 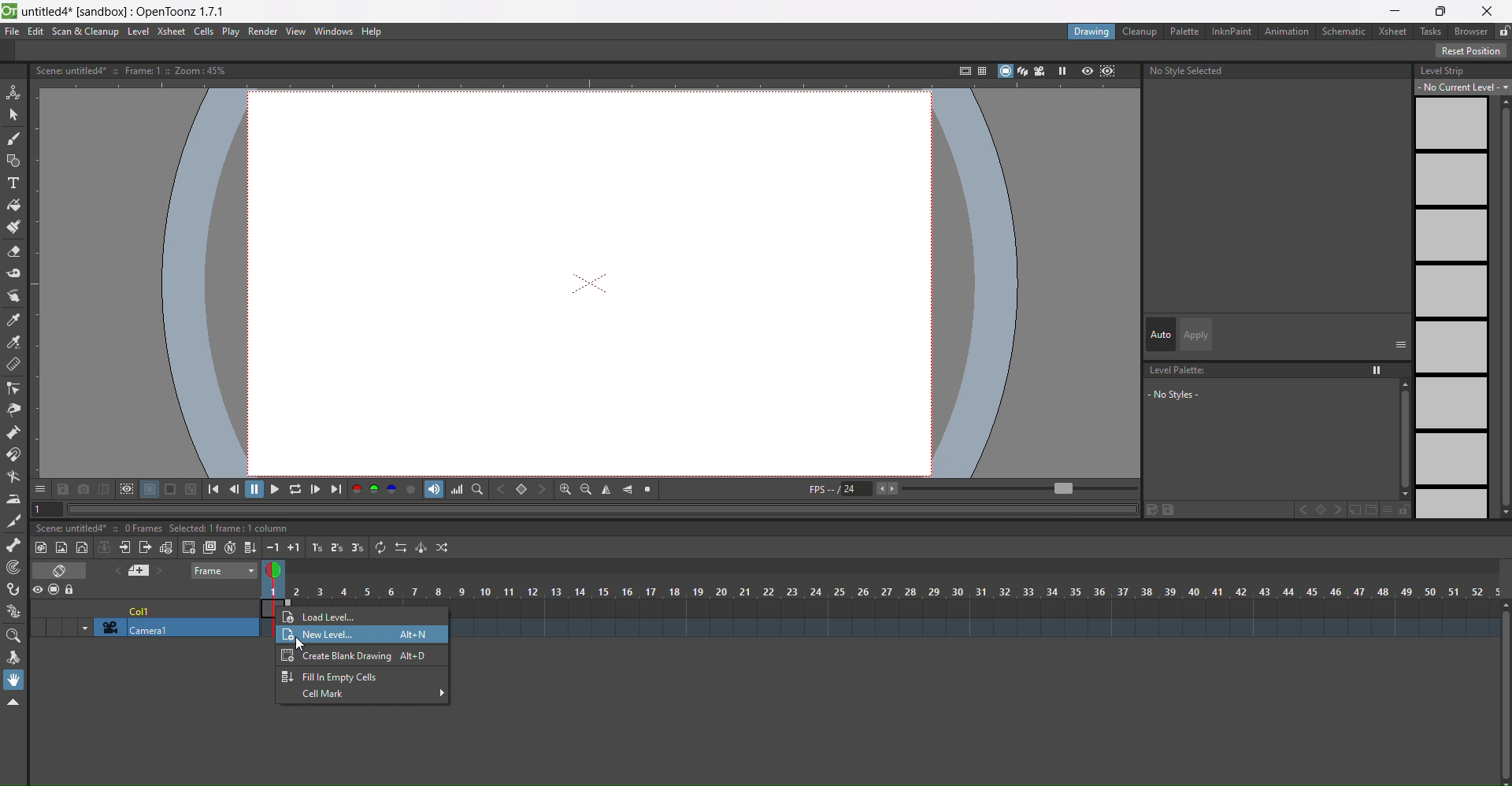 I want to click on column number, so click(x=882, y=593).